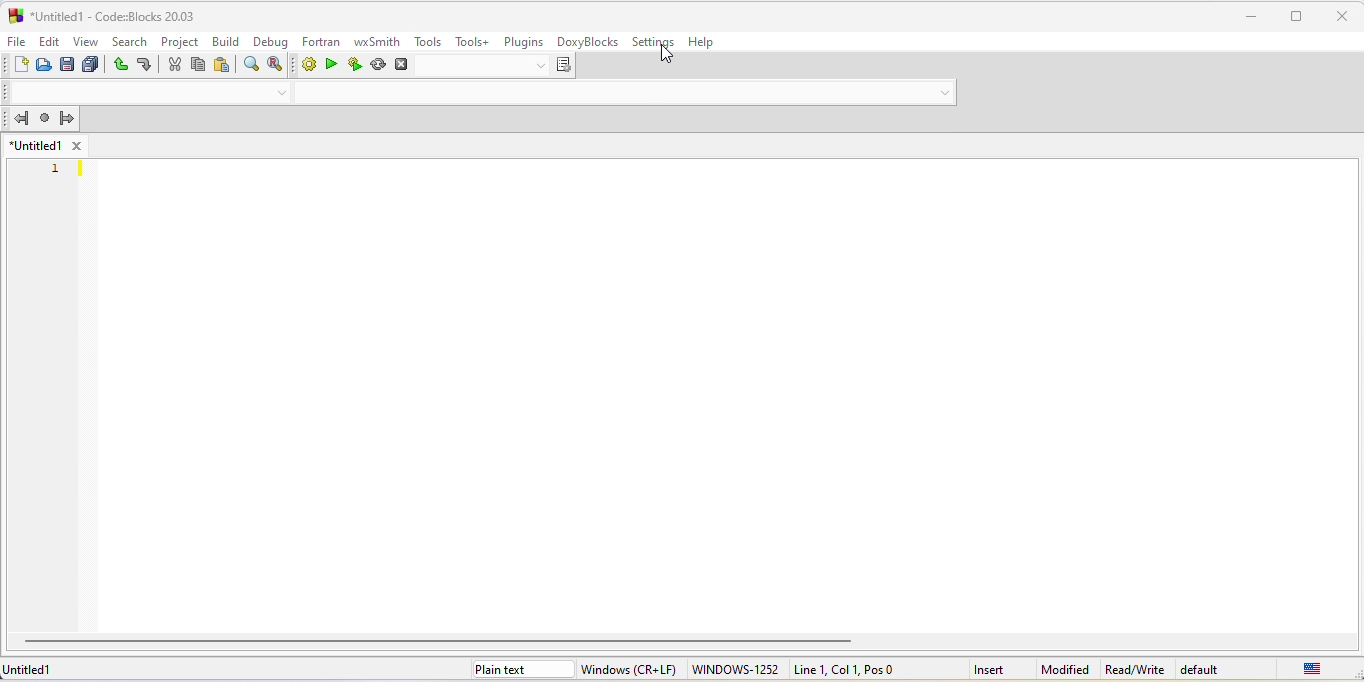  Describe the element at coordinates (274, 63) in the screenshot. I see `replace` at that location.